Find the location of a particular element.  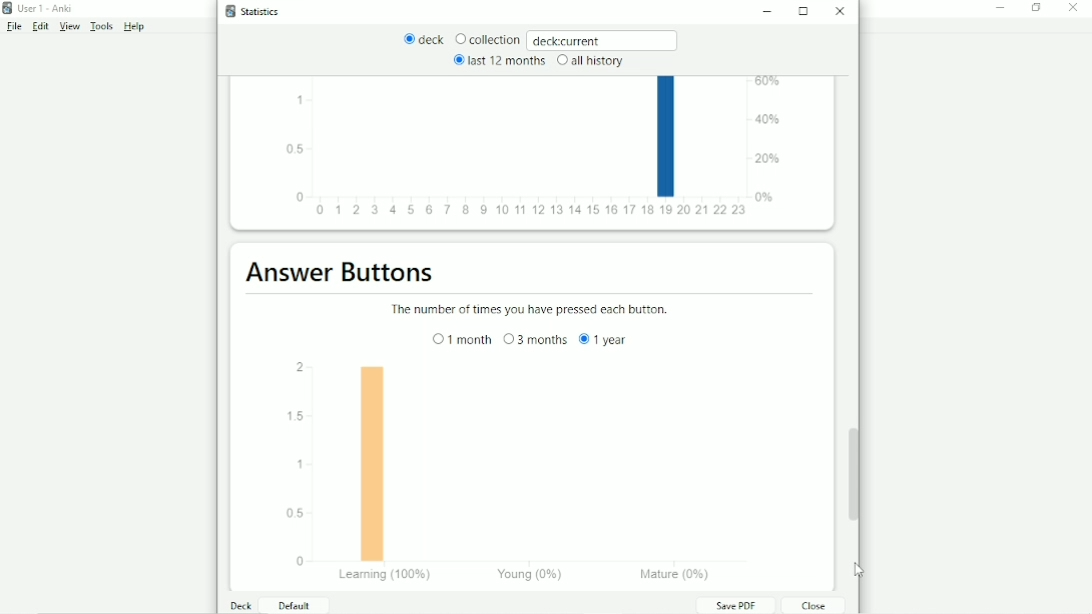

Close is located at coordinates (842, 11).